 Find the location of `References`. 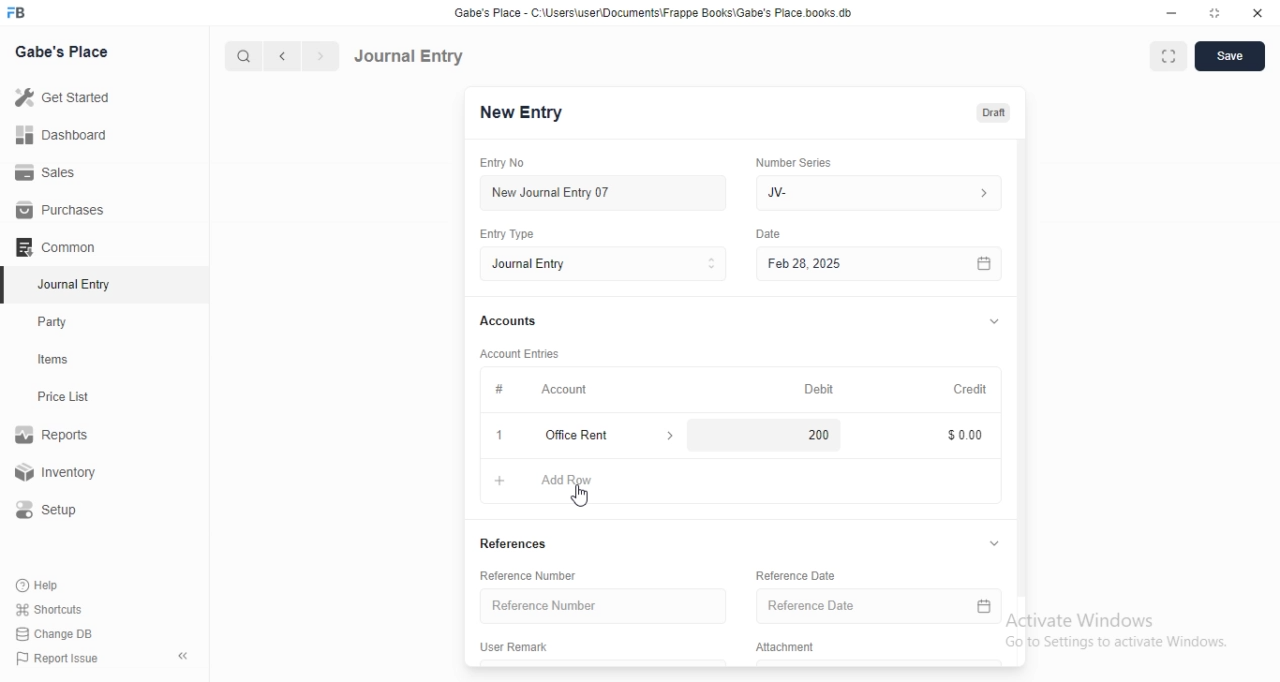

References is located at coordinates (521, 545).